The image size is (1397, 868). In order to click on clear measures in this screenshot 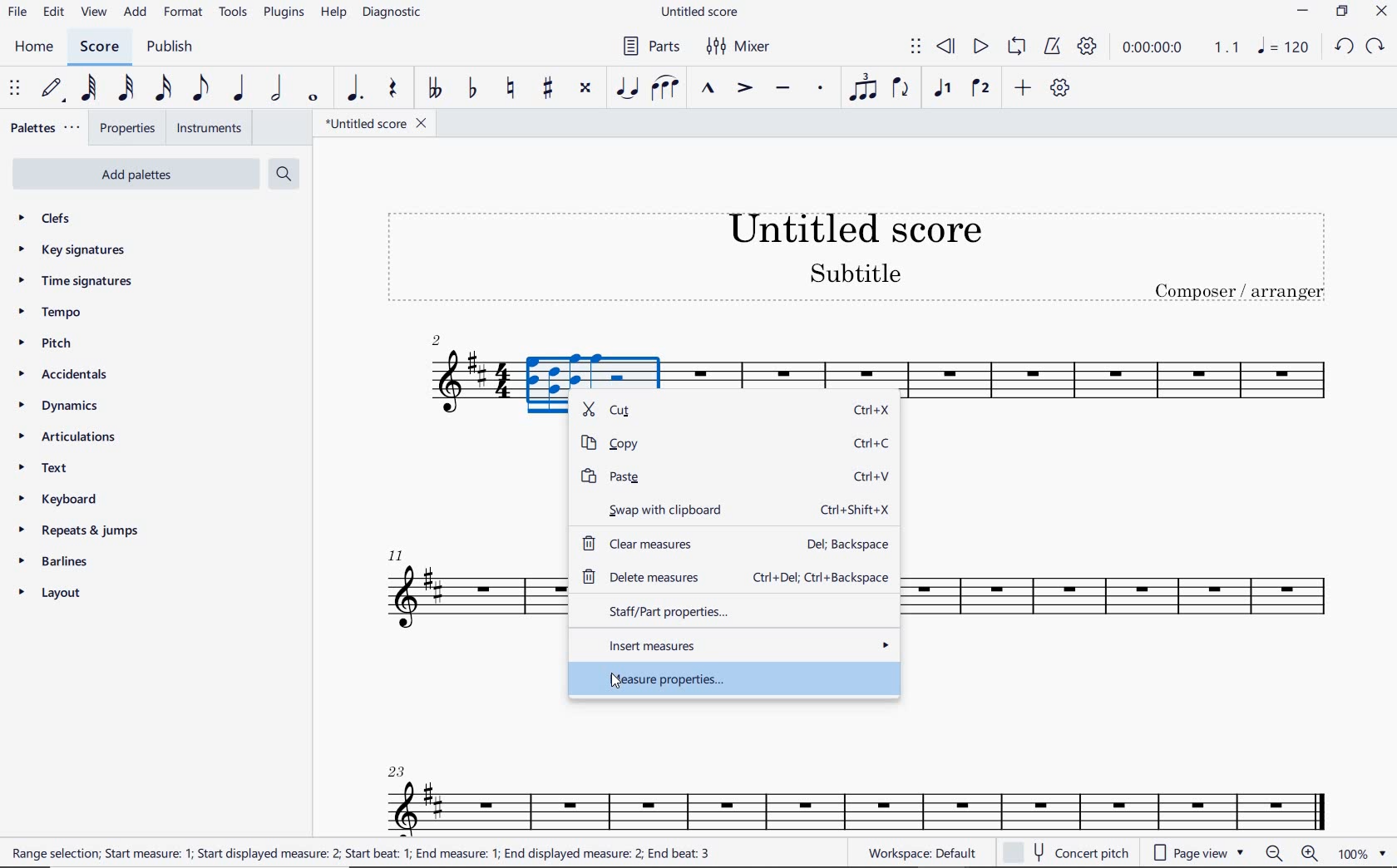, I will do `click(736, 545)`.